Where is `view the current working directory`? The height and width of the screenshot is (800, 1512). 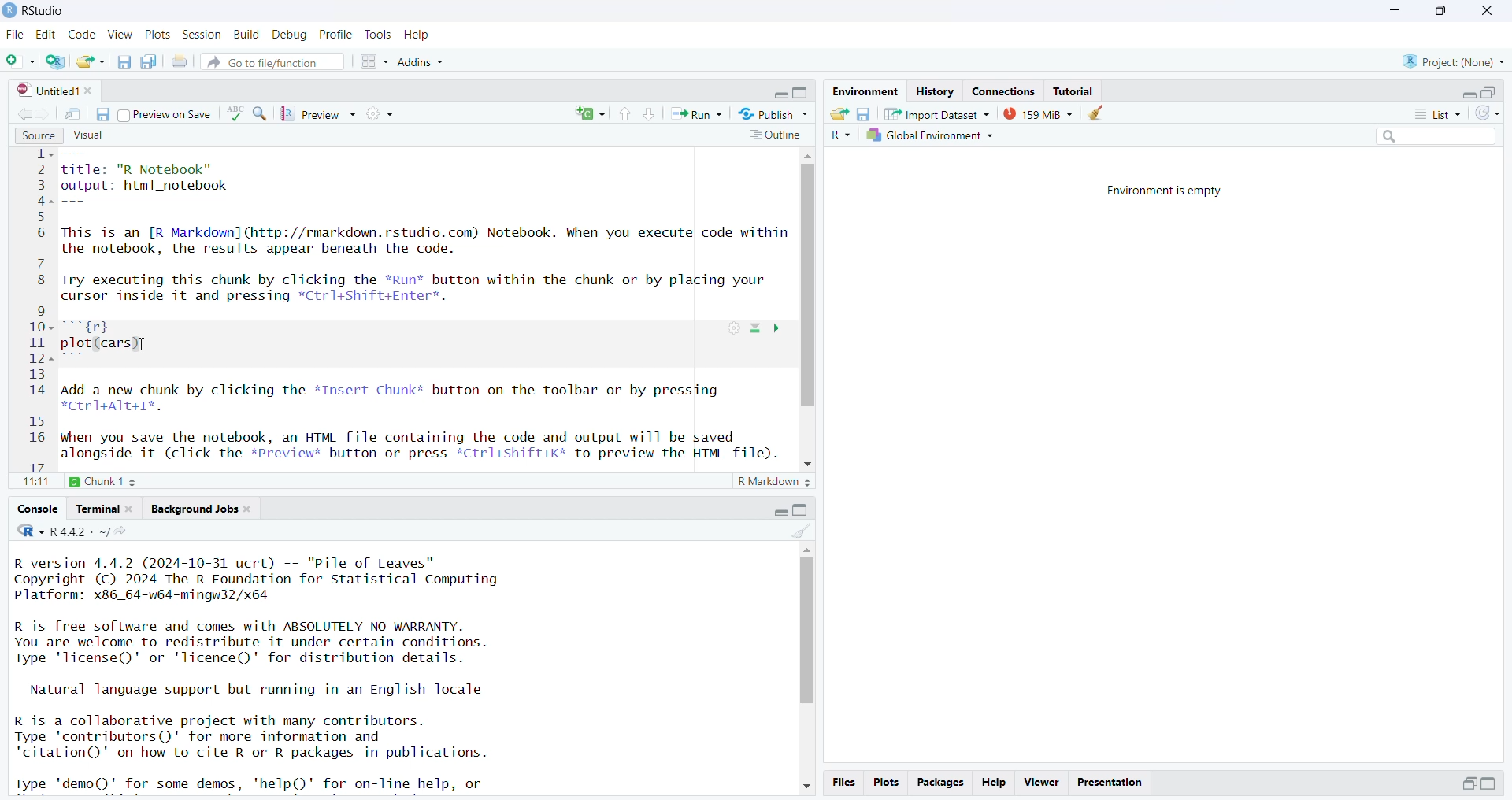 view the current working directory is located at coordinates (124, 530).